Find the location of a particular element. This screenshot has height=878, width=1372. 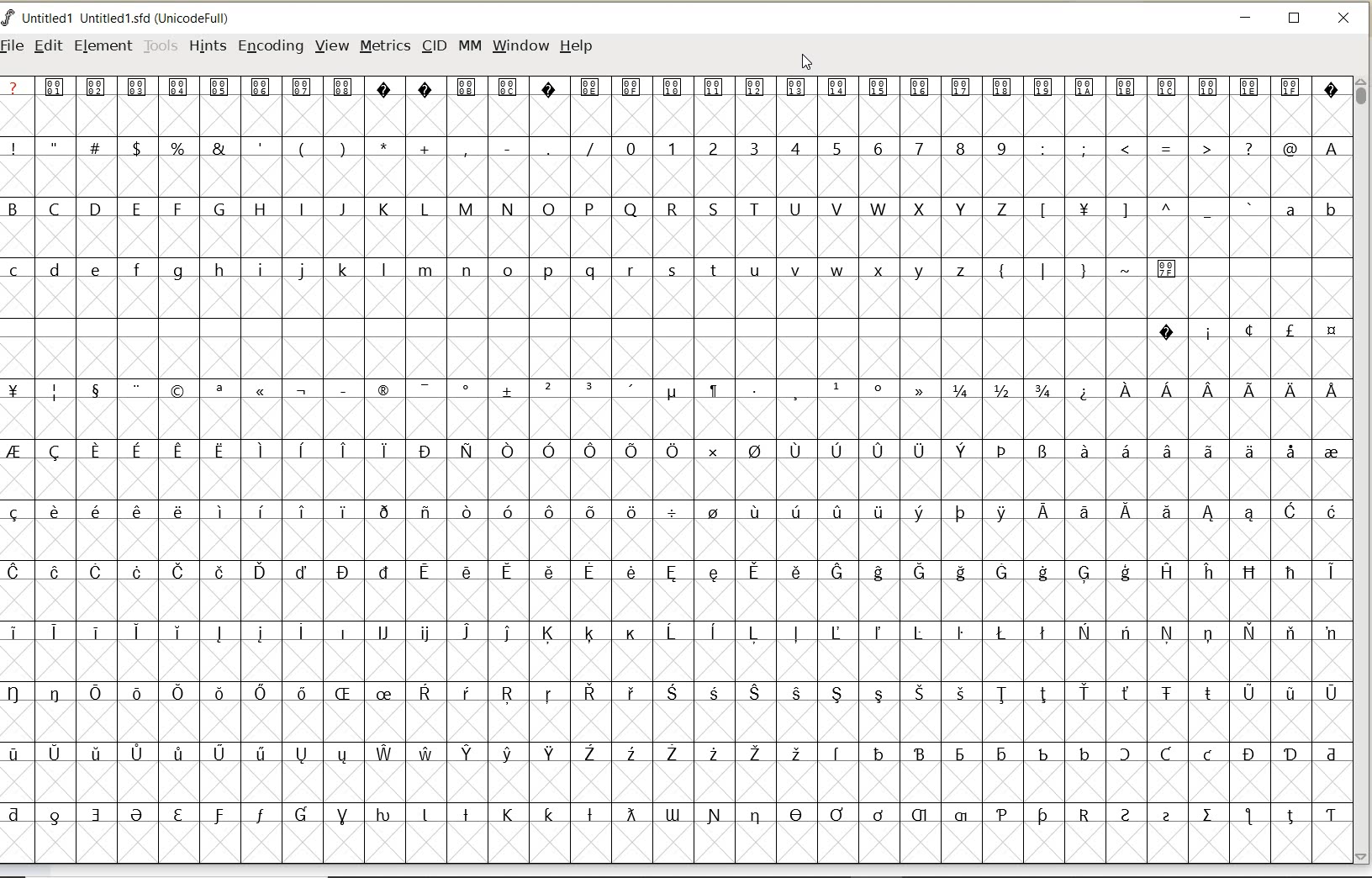

MINIMIZE is located at coordinates (1247, 20).